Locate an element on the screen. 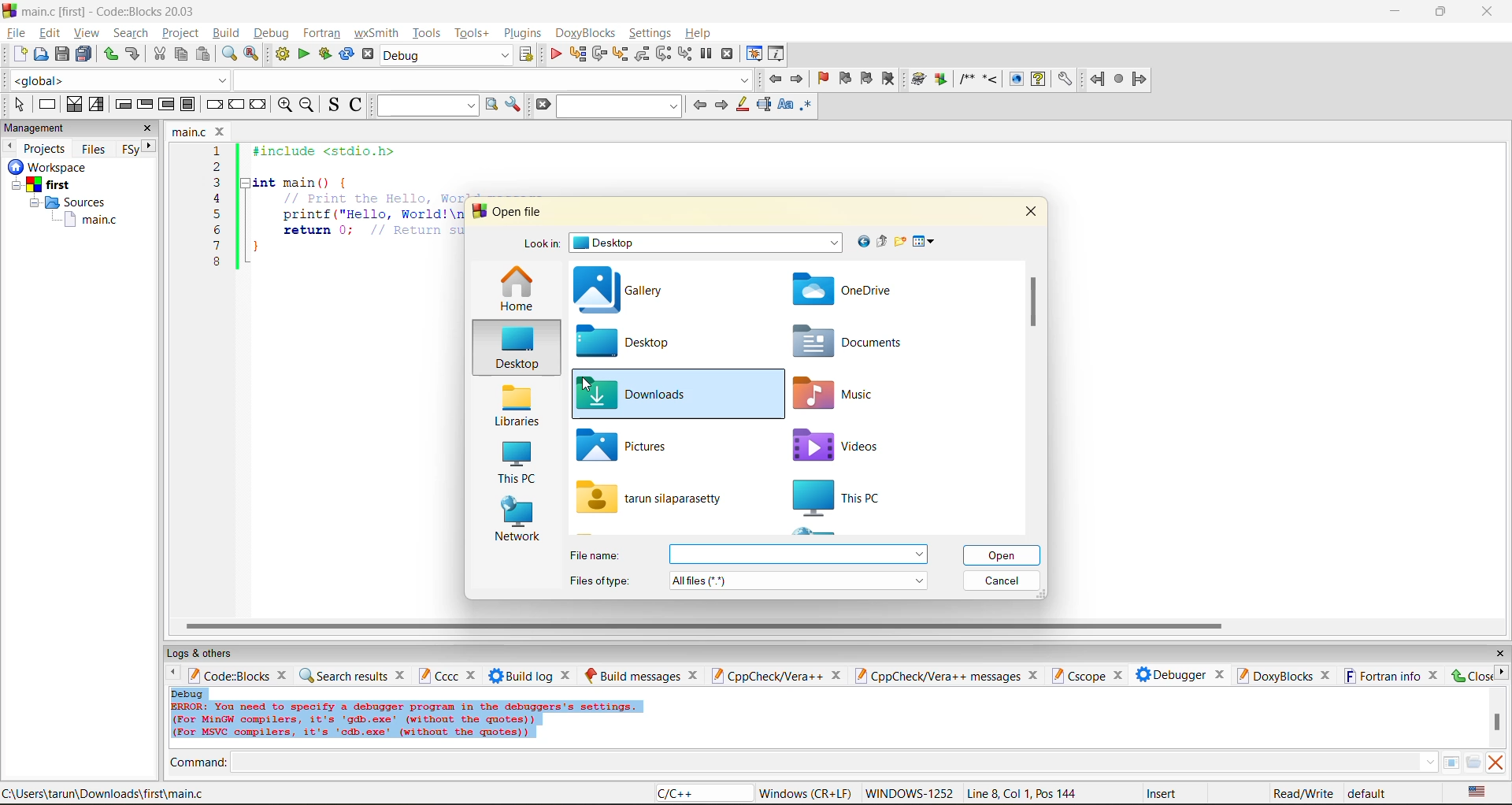 The height and width of the screenshot is (805, 1512). code:blocks is located at coordinates (228, 675).